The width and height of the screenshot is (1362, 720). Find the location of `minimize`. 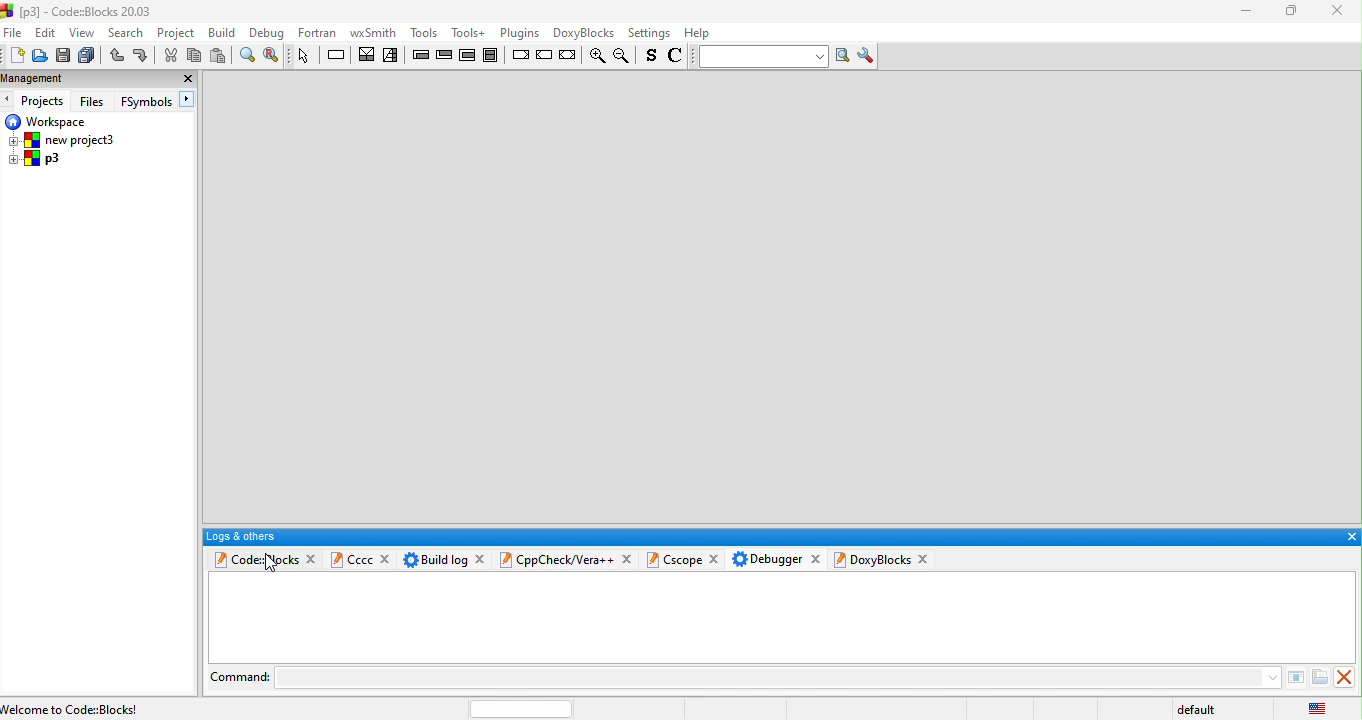

minimize is located at coordinates (1245, 13).